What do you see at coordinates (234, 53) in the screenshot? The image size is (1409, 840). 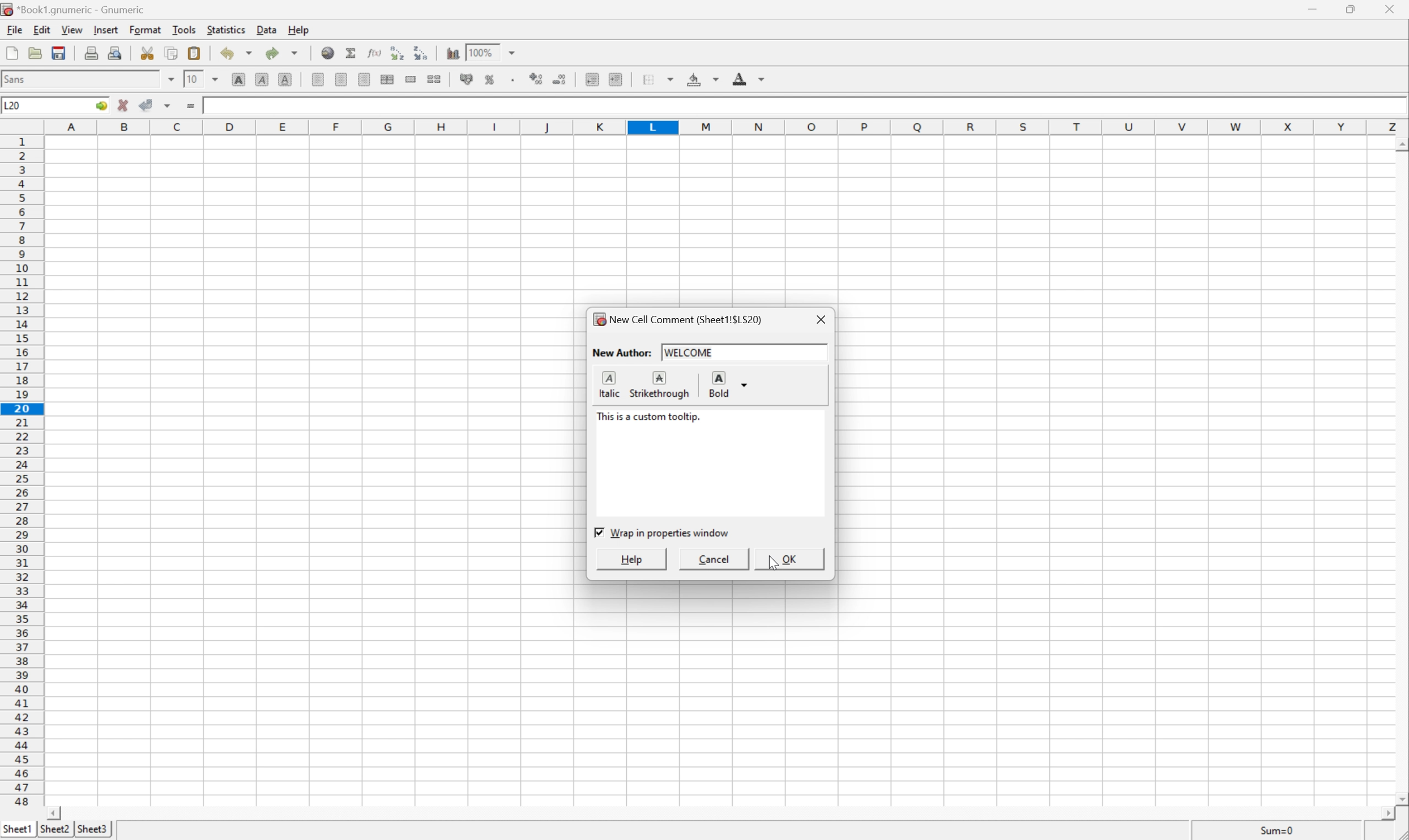 I see `Undo` at bounding box center [234, 53].